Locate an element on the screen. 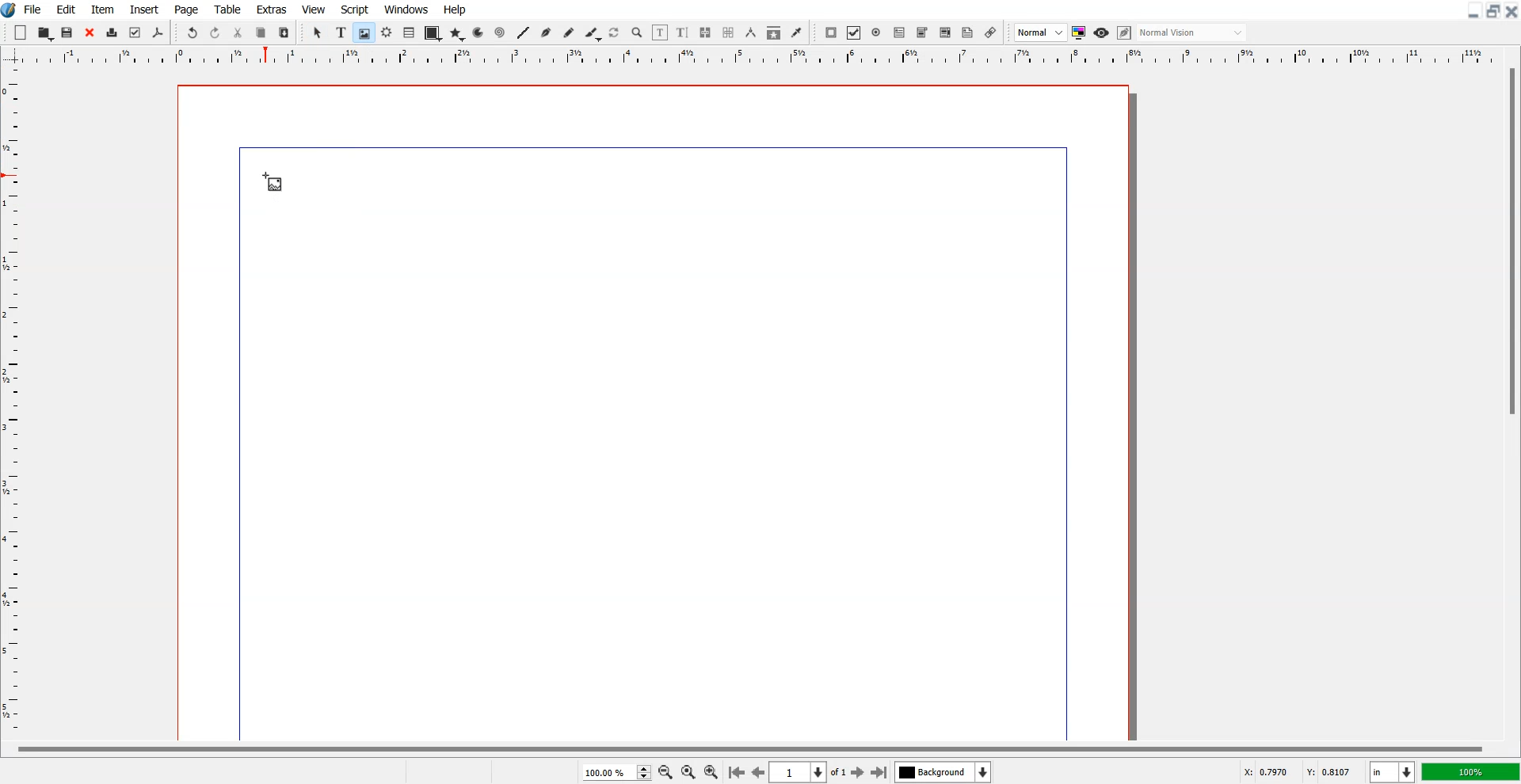  Preflight verifier is located at coordinates (135, 33).